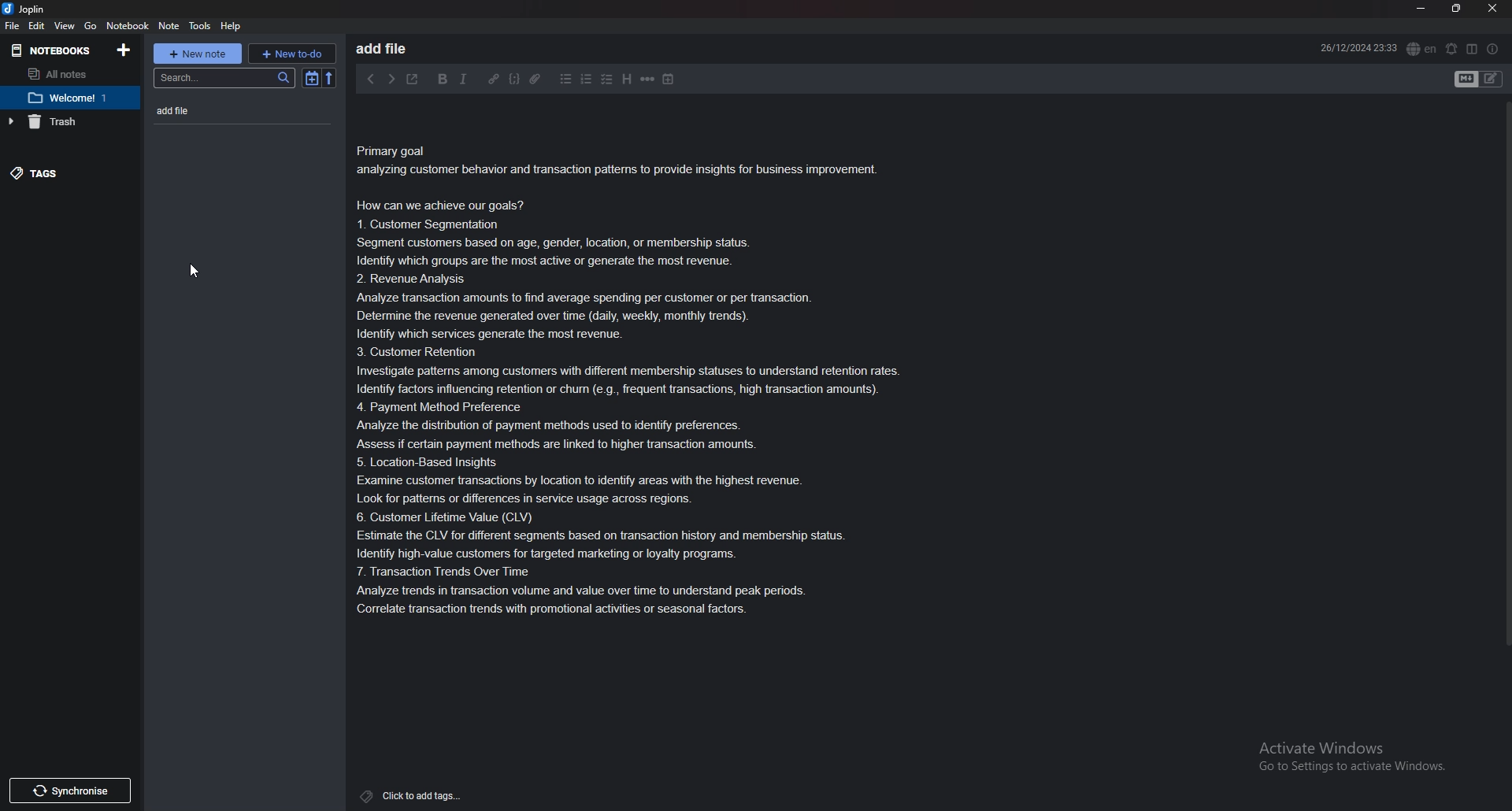  What do you see at coordinates (192, 269) in the screenshot?
I see `cursor` at bounding box center [192, 269].